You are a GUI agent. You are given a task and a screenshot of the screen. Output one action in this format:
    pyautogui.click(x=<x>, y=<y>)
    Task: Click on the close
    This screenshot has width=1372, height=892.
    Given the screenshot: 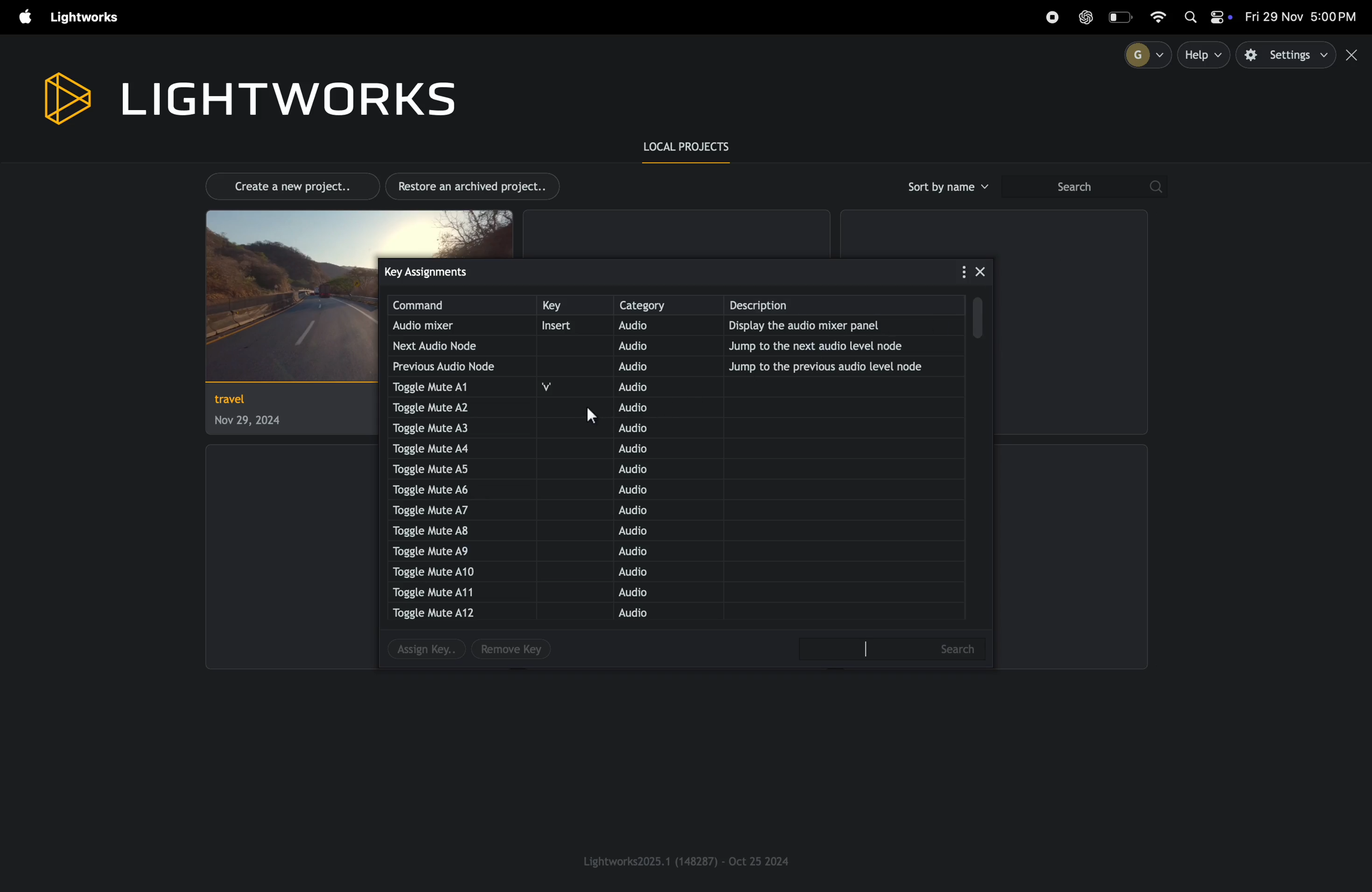 What is the action you would take?
    pyautogui.click(x=981, y=270)
    